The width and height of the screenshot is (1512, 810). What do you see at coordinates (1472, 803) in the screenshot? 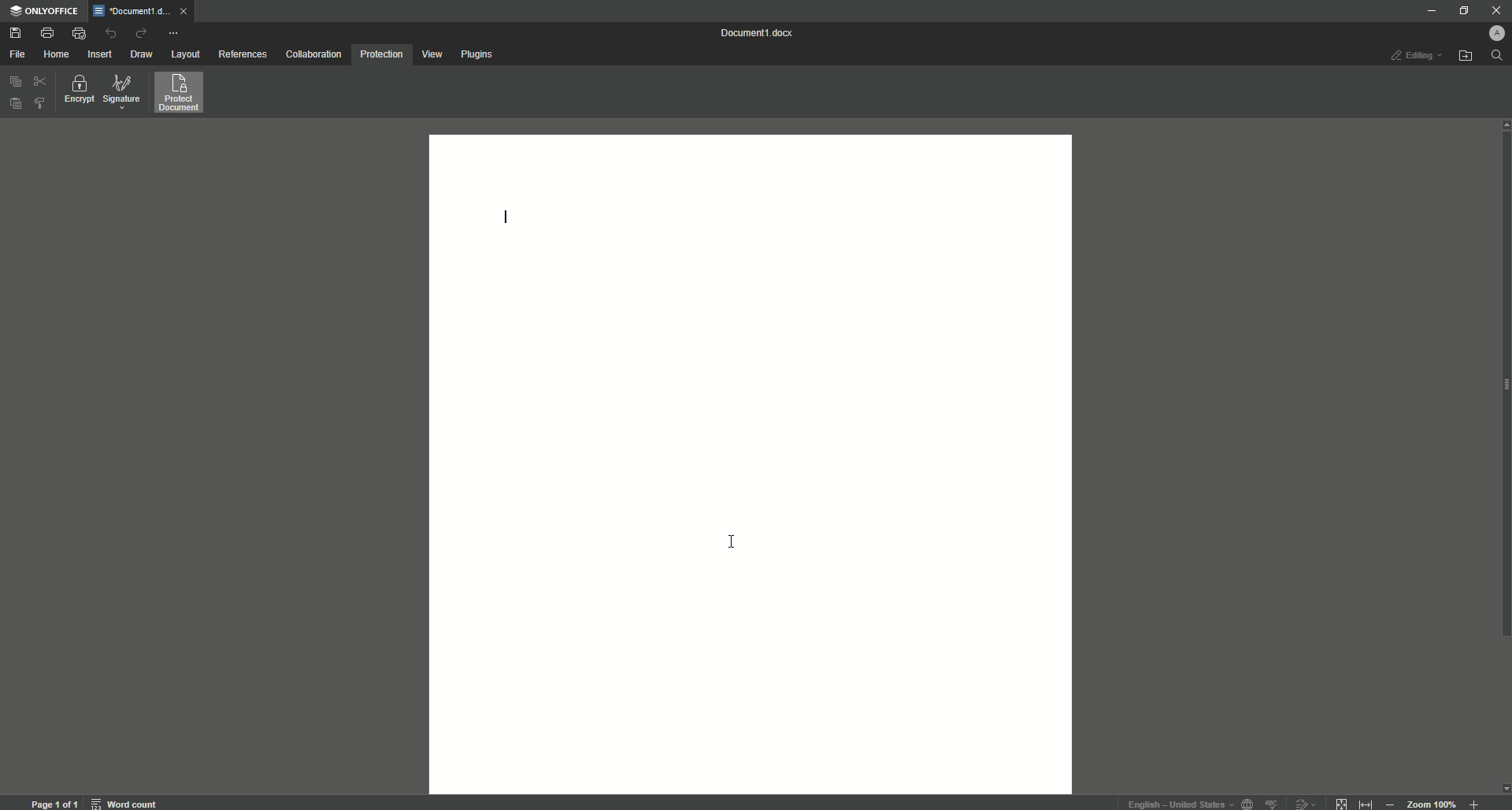
I see `Zoom in` at bounding box center [1472, 803].